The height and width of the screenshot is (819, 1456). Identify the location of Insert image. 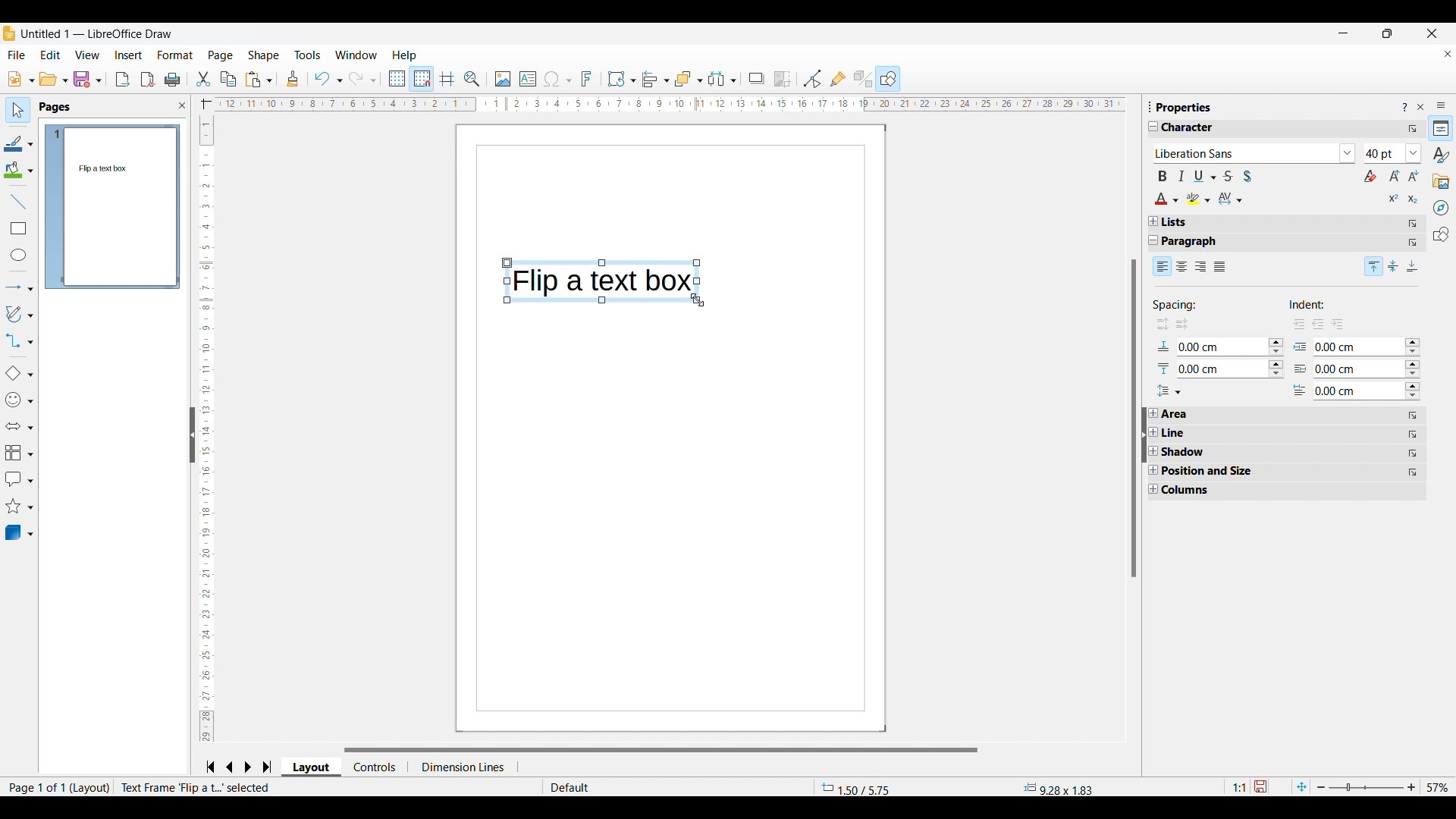
(504, 80).